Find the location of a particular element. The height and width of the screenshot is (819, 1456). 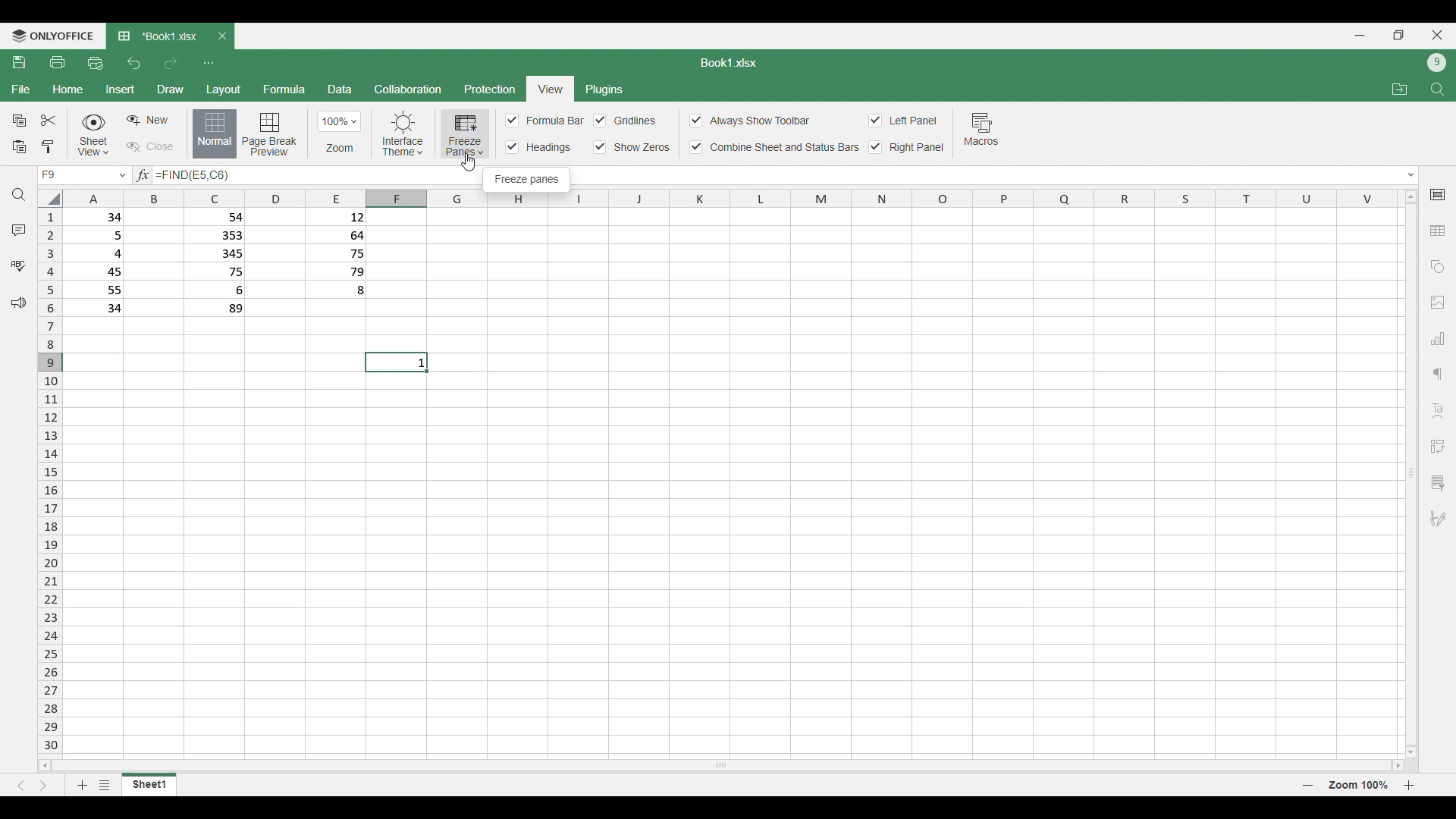

Copy formatting is located at coordinates (48, 147).